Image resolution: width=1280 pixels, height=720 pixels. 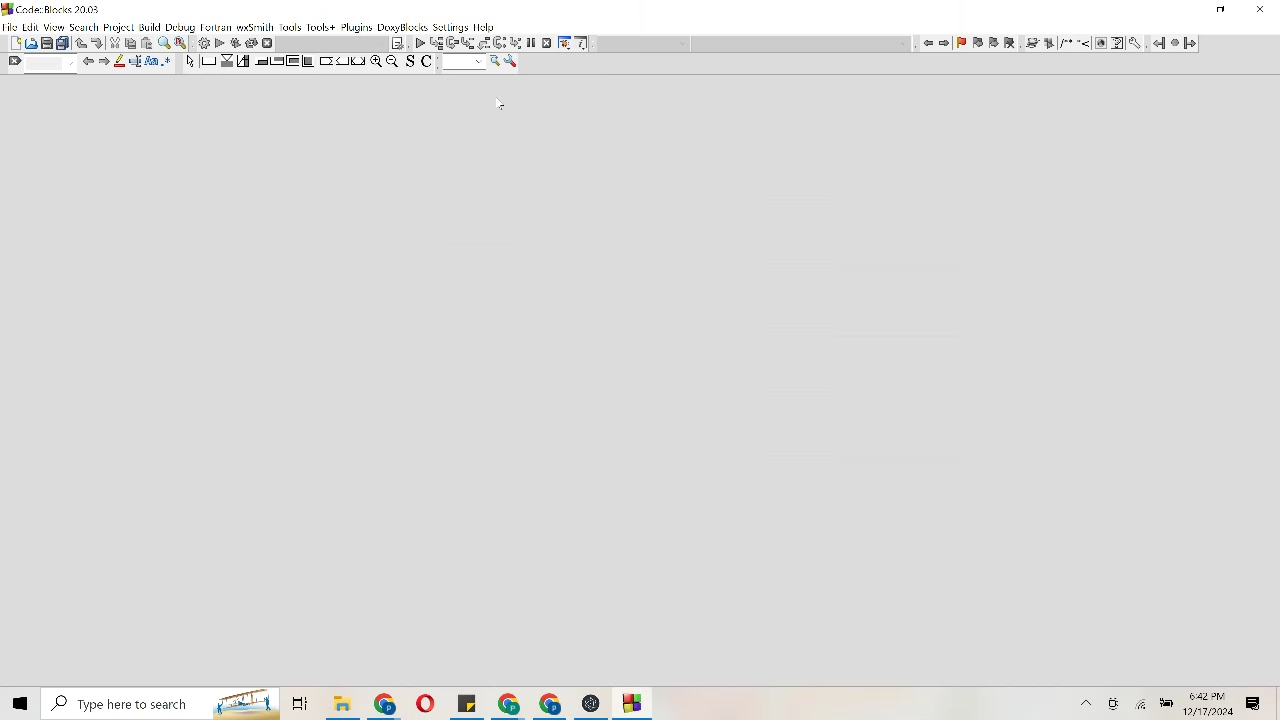 I want to click on Doxyblocks, so click(x=403, y=28).